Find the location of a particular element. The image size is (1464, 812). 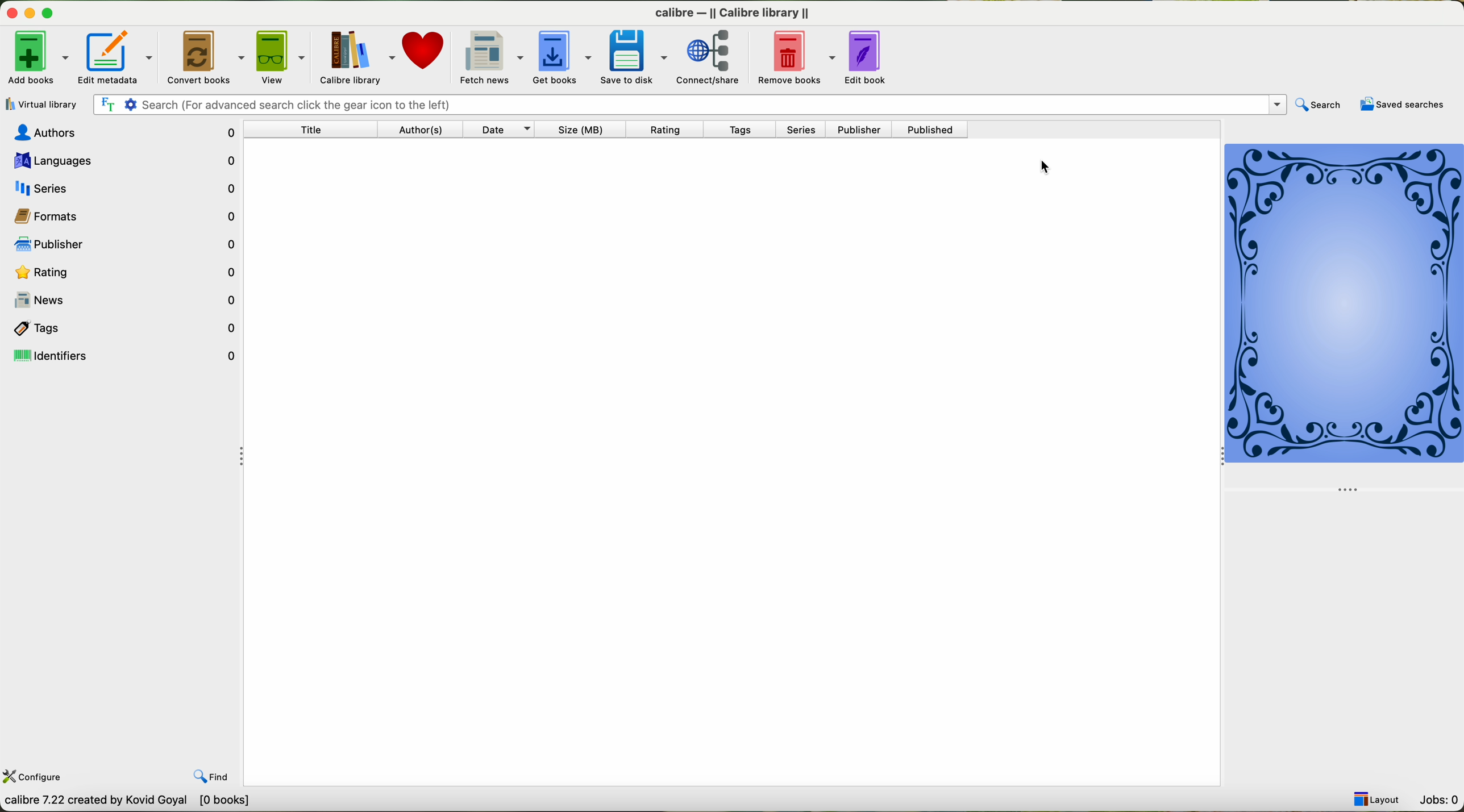

rating is located at coordinates (122, 273).